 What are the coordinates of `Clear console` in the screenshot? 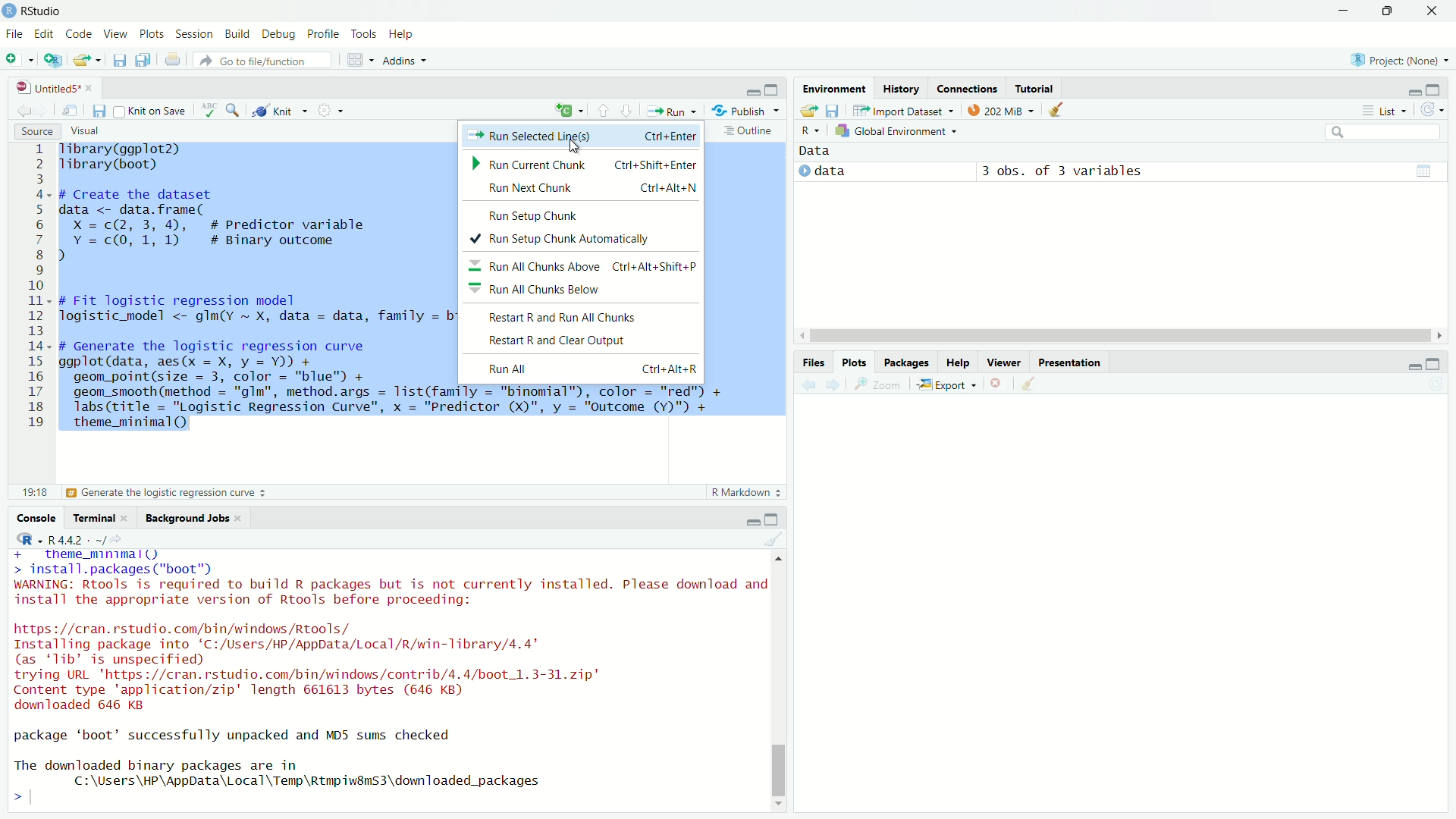 It's located at (773, 538).